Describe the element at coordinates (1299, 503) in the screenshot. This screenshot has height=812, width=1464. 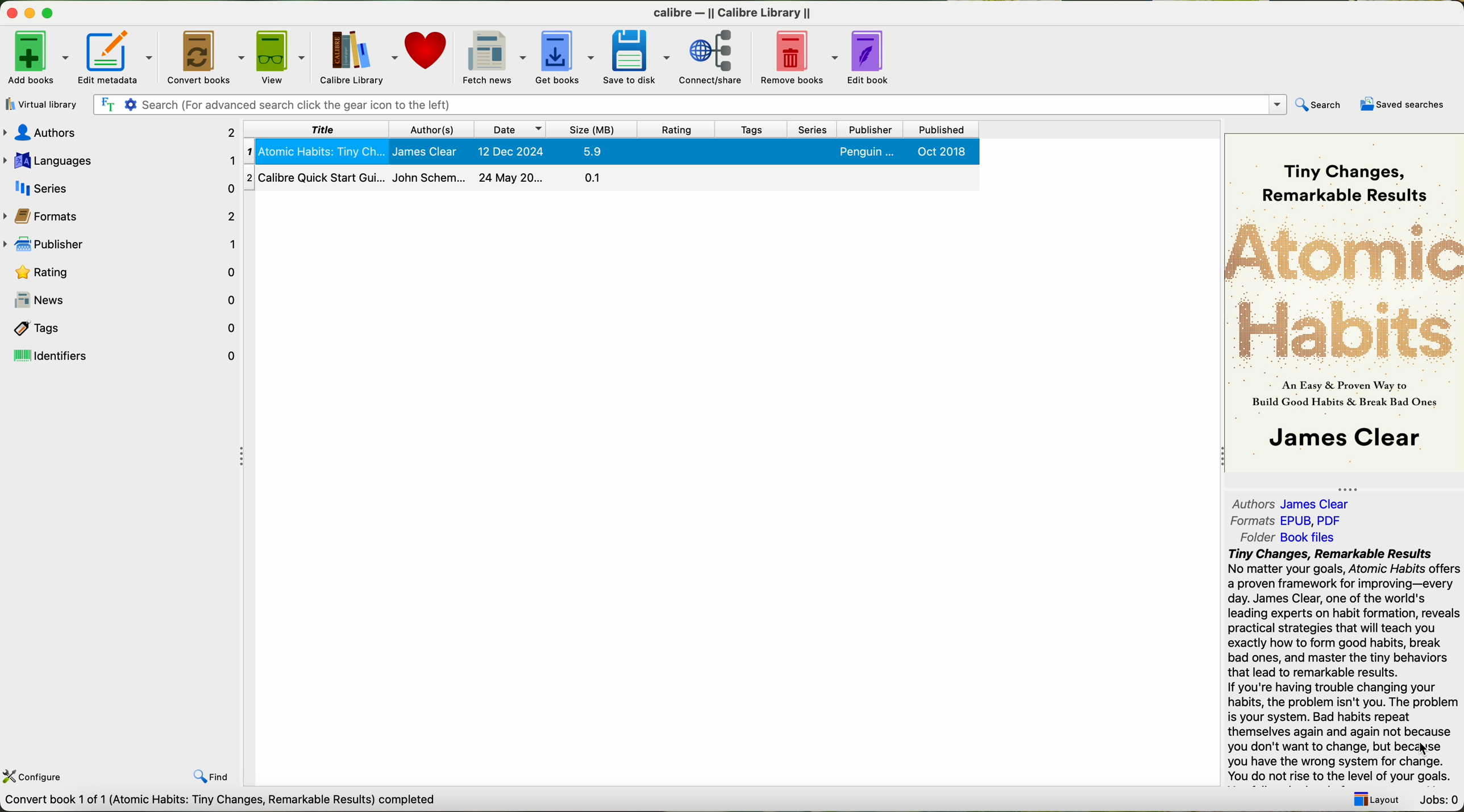
I see `authors` at that location.